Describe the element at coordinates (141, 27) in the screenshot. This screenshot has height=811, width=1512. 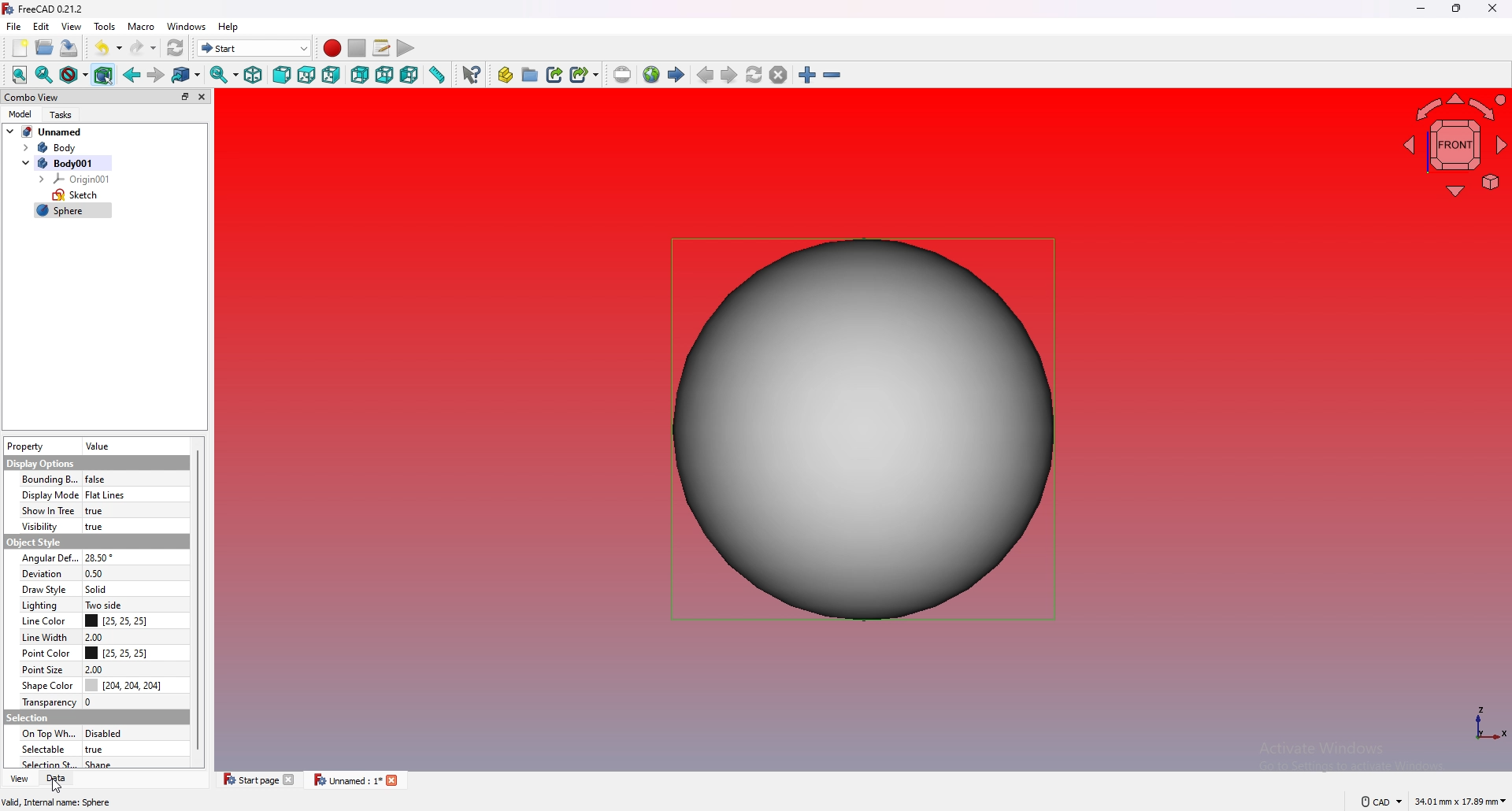
I see `macro` at that location.